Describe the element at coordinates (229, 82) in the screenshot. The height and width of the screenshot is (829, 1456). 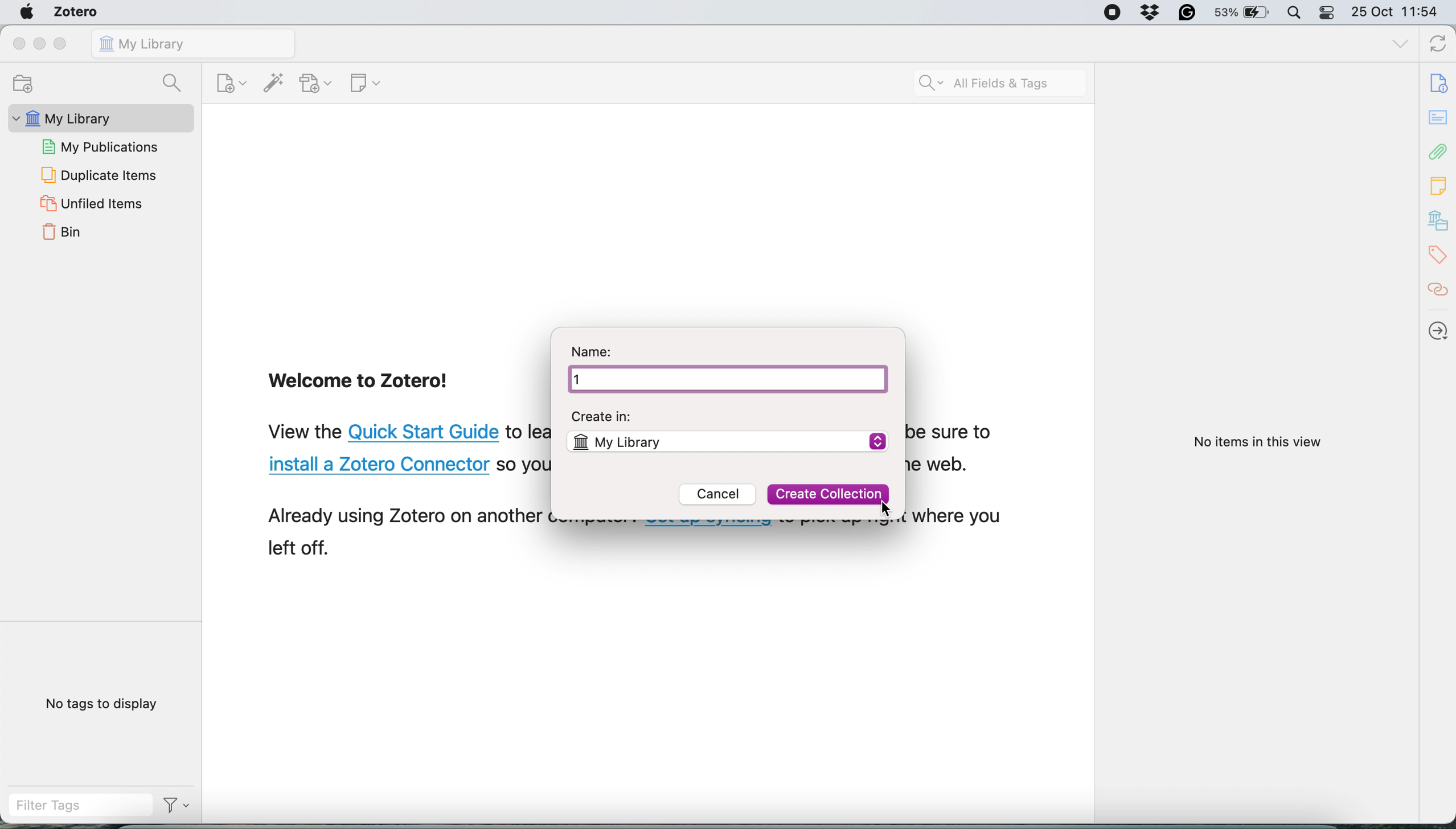
I see `new item` at that location.